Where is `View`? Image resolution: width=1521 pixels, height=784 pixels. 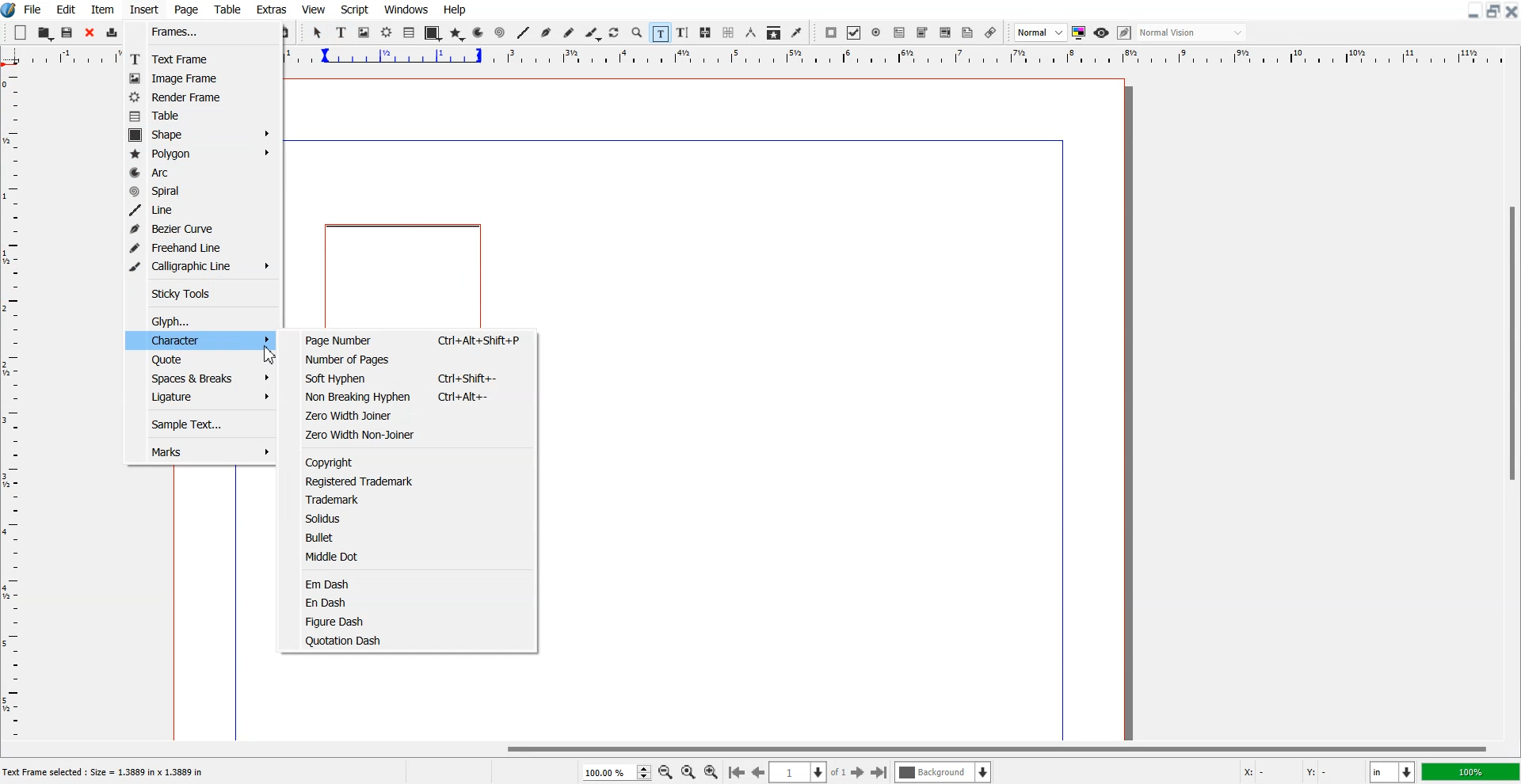 View is located at coordinates (314, 9).